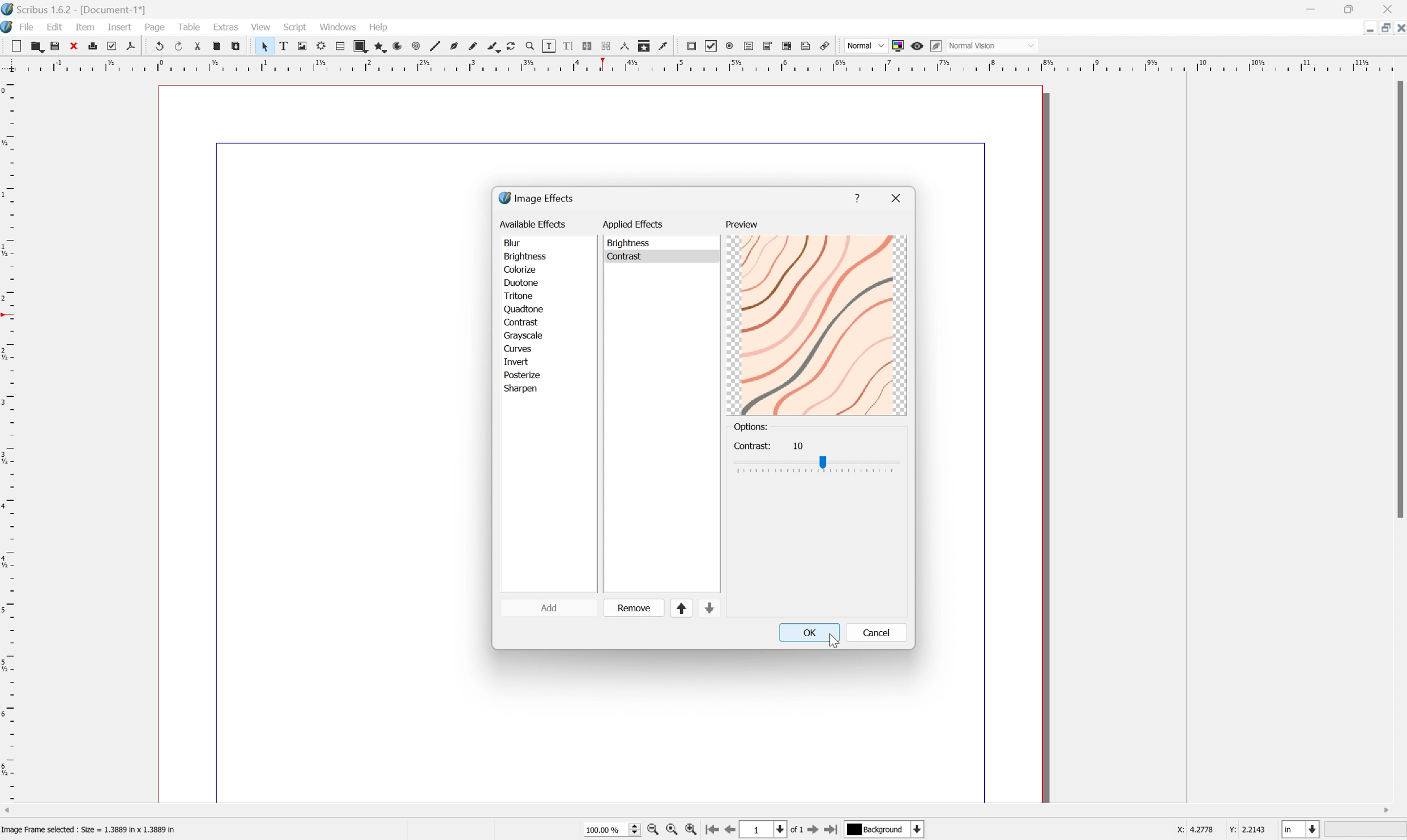 This screenshot has width=1407, height=840. What do you see at coordinates (887, 830) in the screenshot?
I see `select current layer` at bounding box center [887, 830].